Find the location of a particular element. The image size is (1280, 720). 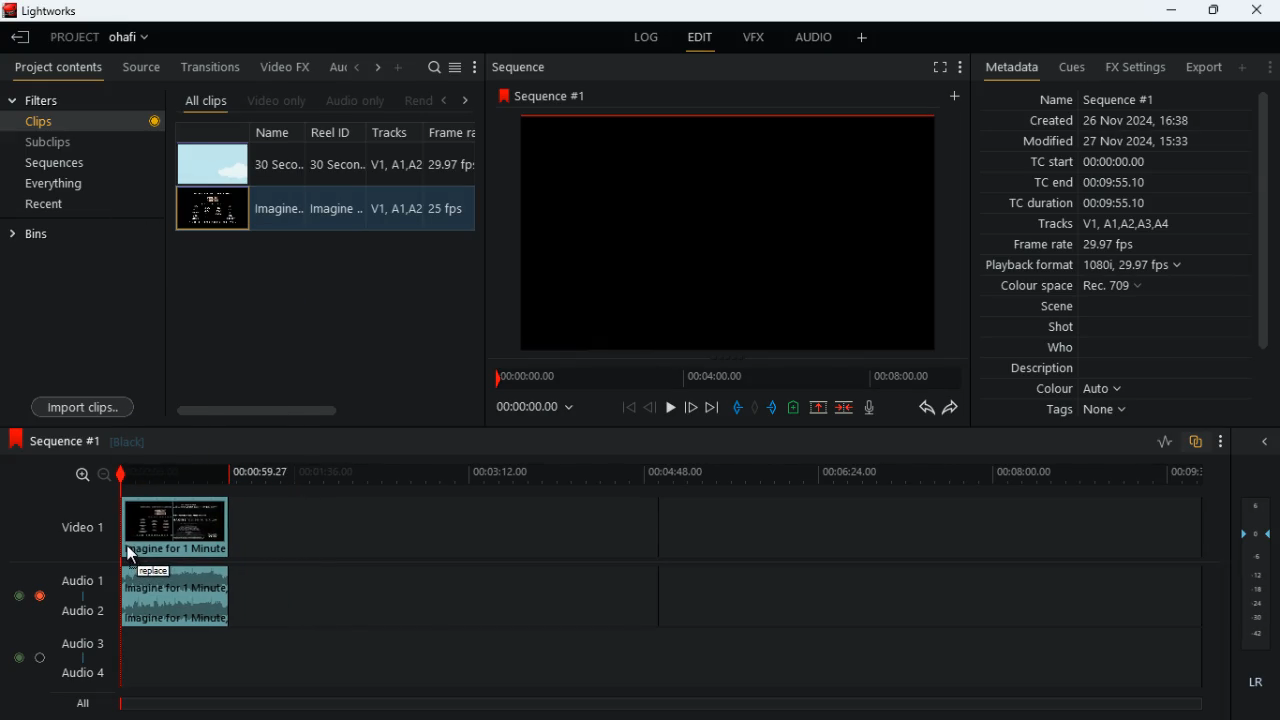

name is located at coordinates (1120, 100).